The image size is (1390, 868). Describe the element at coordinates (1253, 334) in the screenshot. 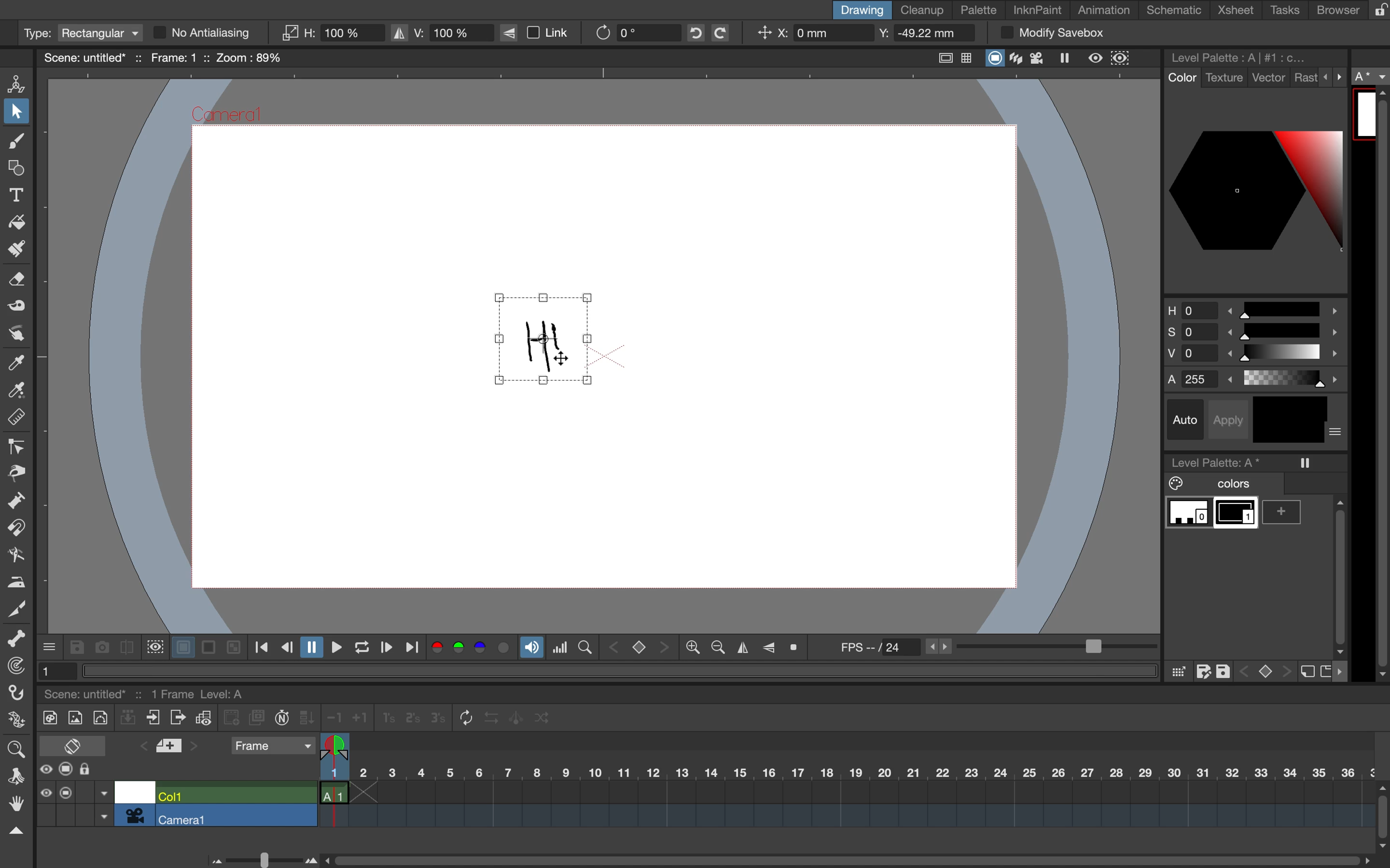

I see `saturation` at that location.